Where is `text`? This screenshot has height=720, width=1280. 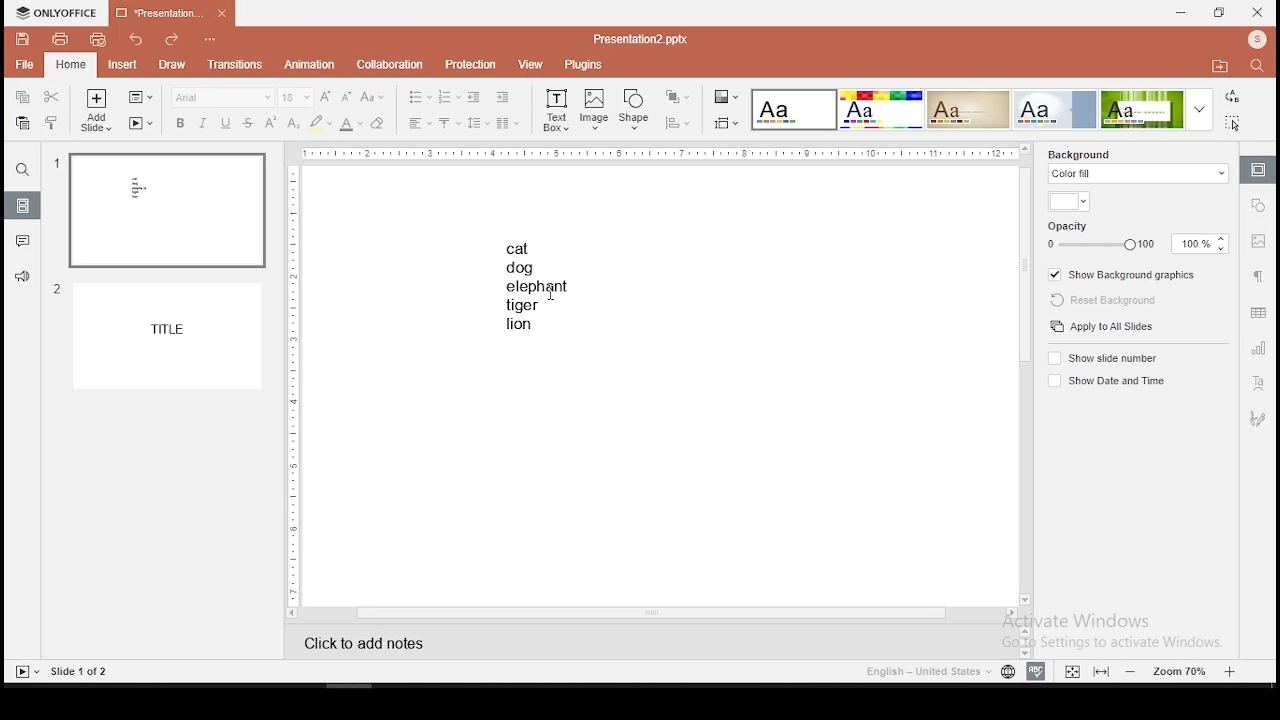
text is located at coordinates (545, 286).